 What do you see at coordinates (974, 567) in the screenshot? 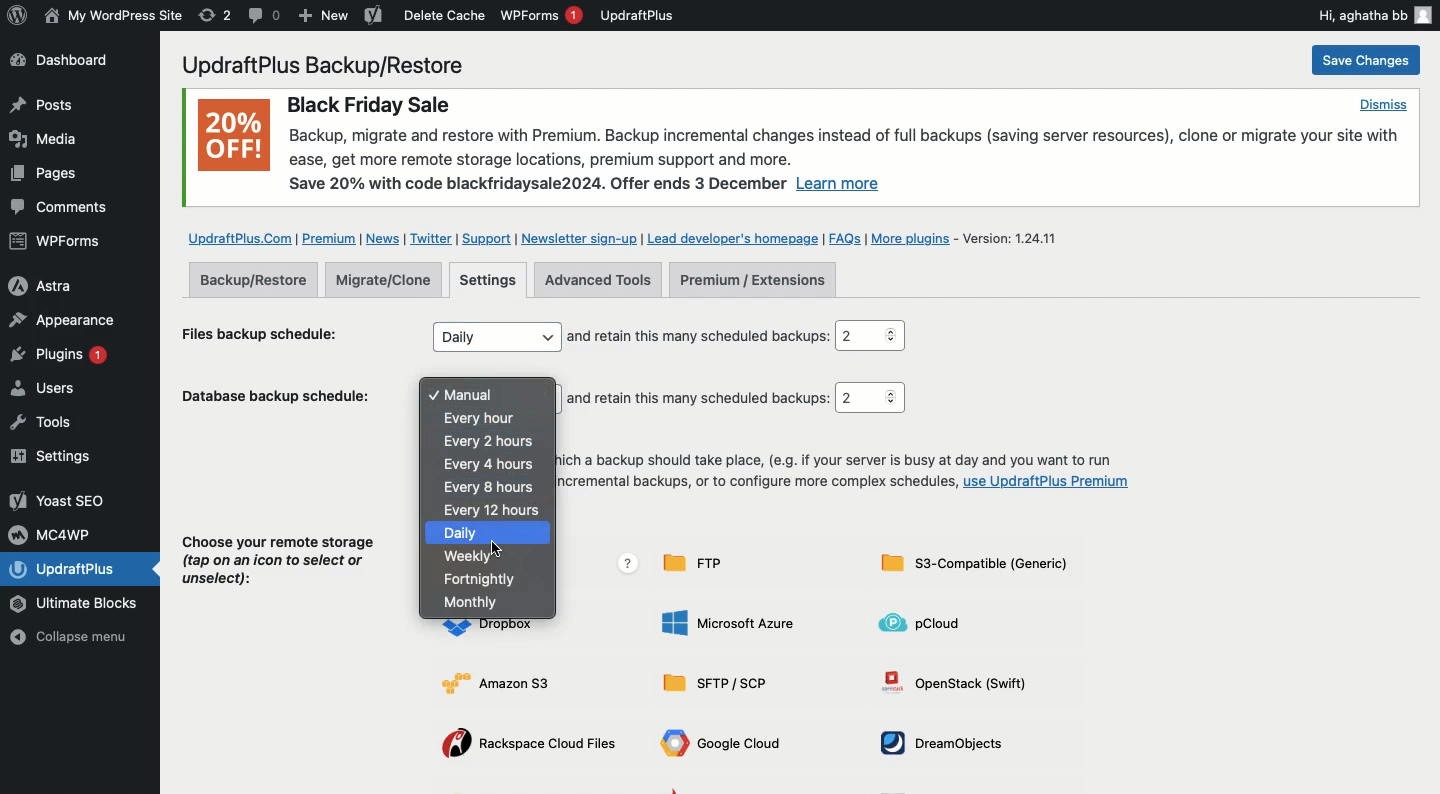
I see `S3-compatible generic` at bounding box center [974, 567].